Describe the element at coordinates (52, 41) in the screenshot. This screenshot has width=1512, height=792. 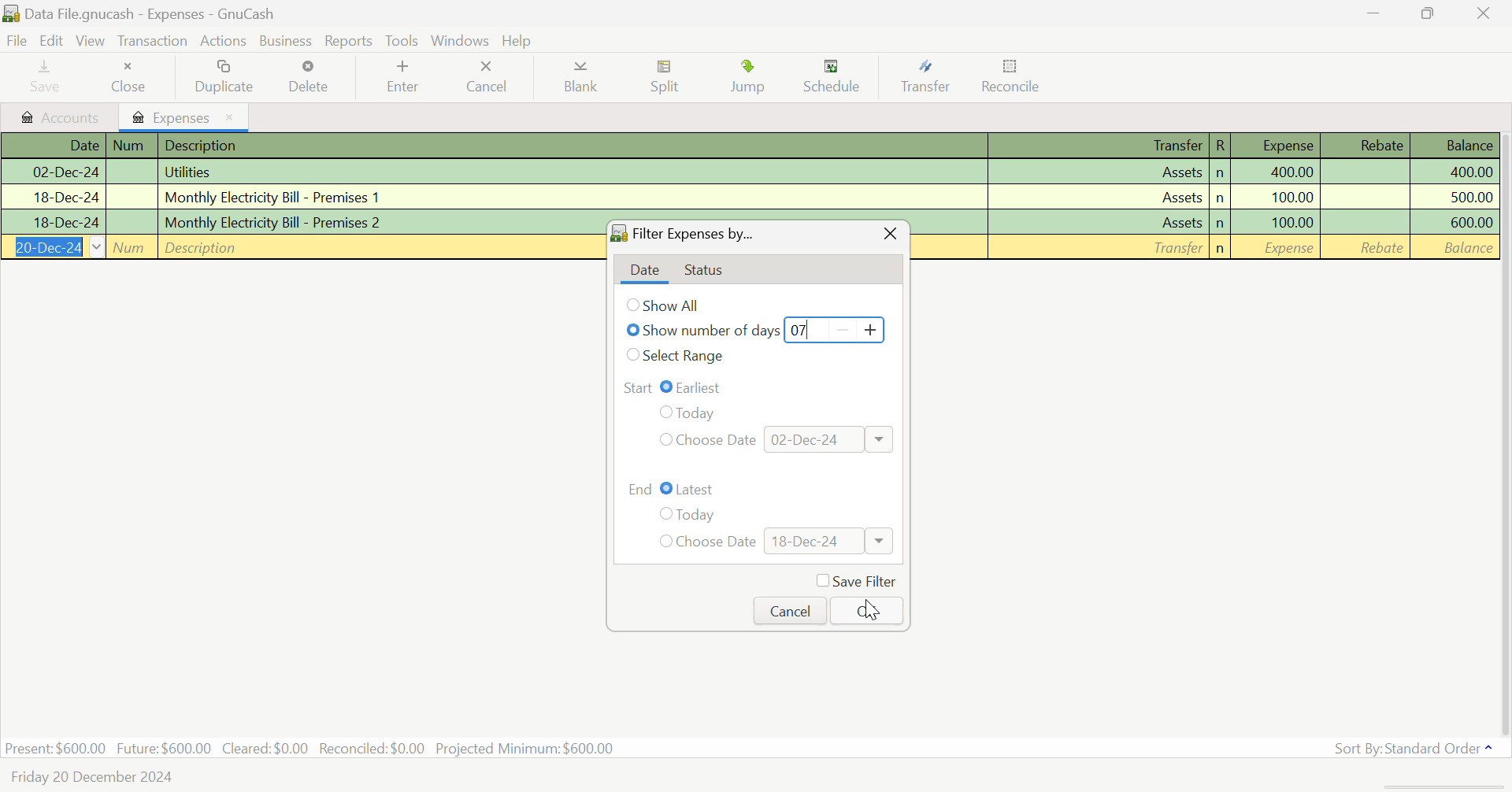
I see `Edit` at that location.